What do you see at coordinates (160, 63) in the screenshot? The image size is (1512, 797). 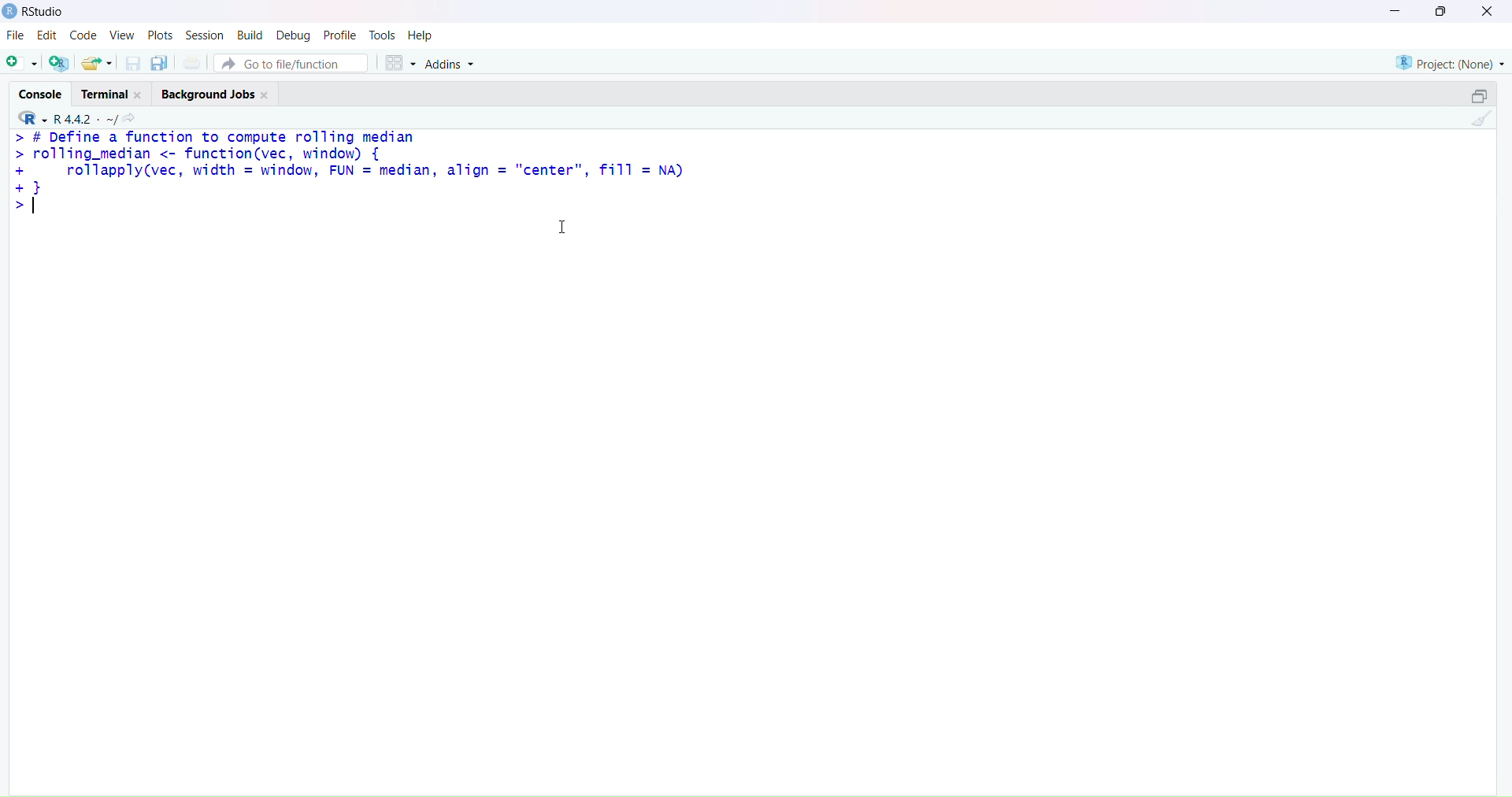 I see `copy` at bounding box center [160, 63].